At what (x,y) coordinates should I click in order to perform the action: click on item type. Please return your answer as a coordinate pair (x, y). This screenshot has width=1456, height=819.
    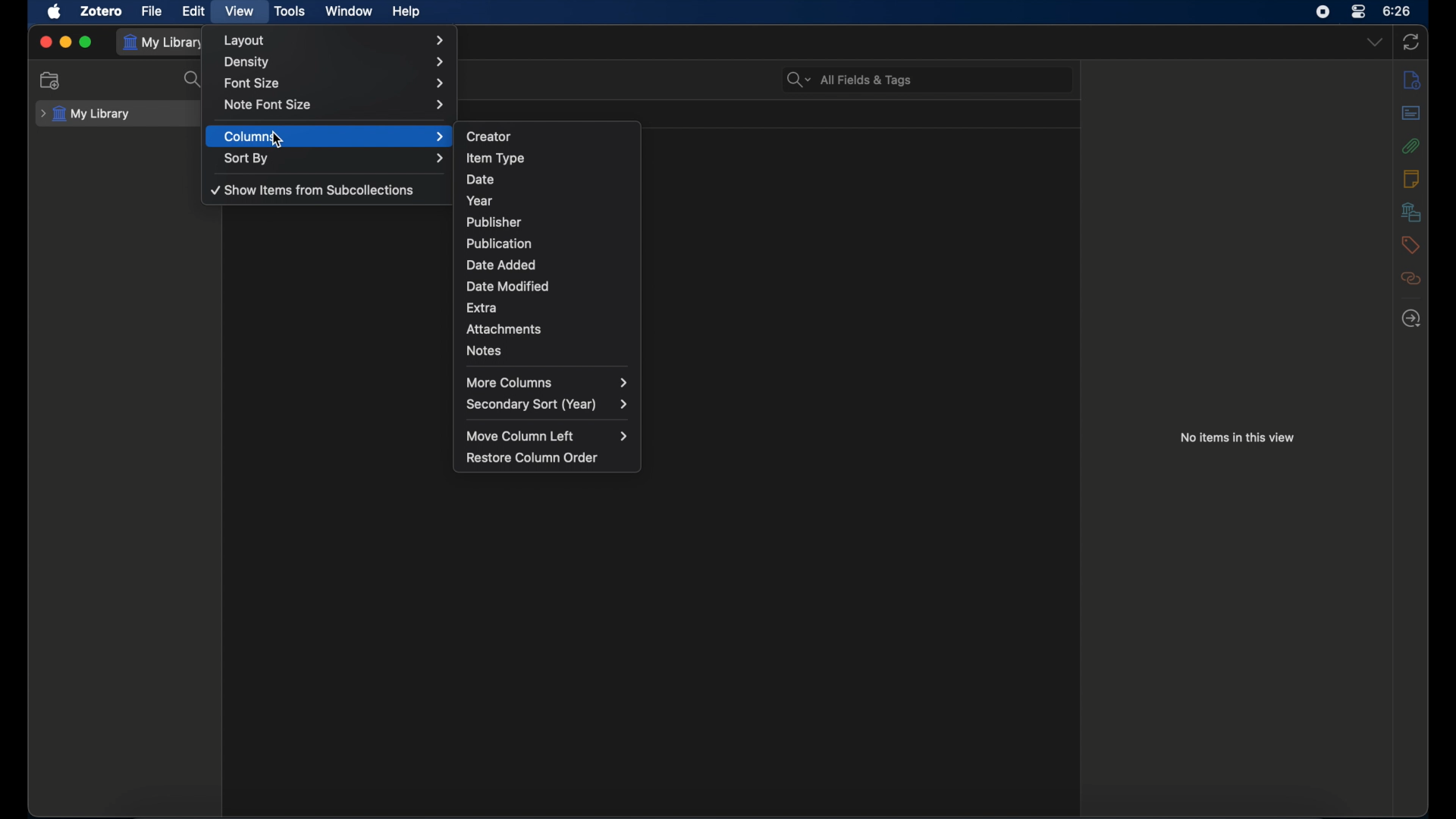
    Looking at the image, I should click on (548, 158).